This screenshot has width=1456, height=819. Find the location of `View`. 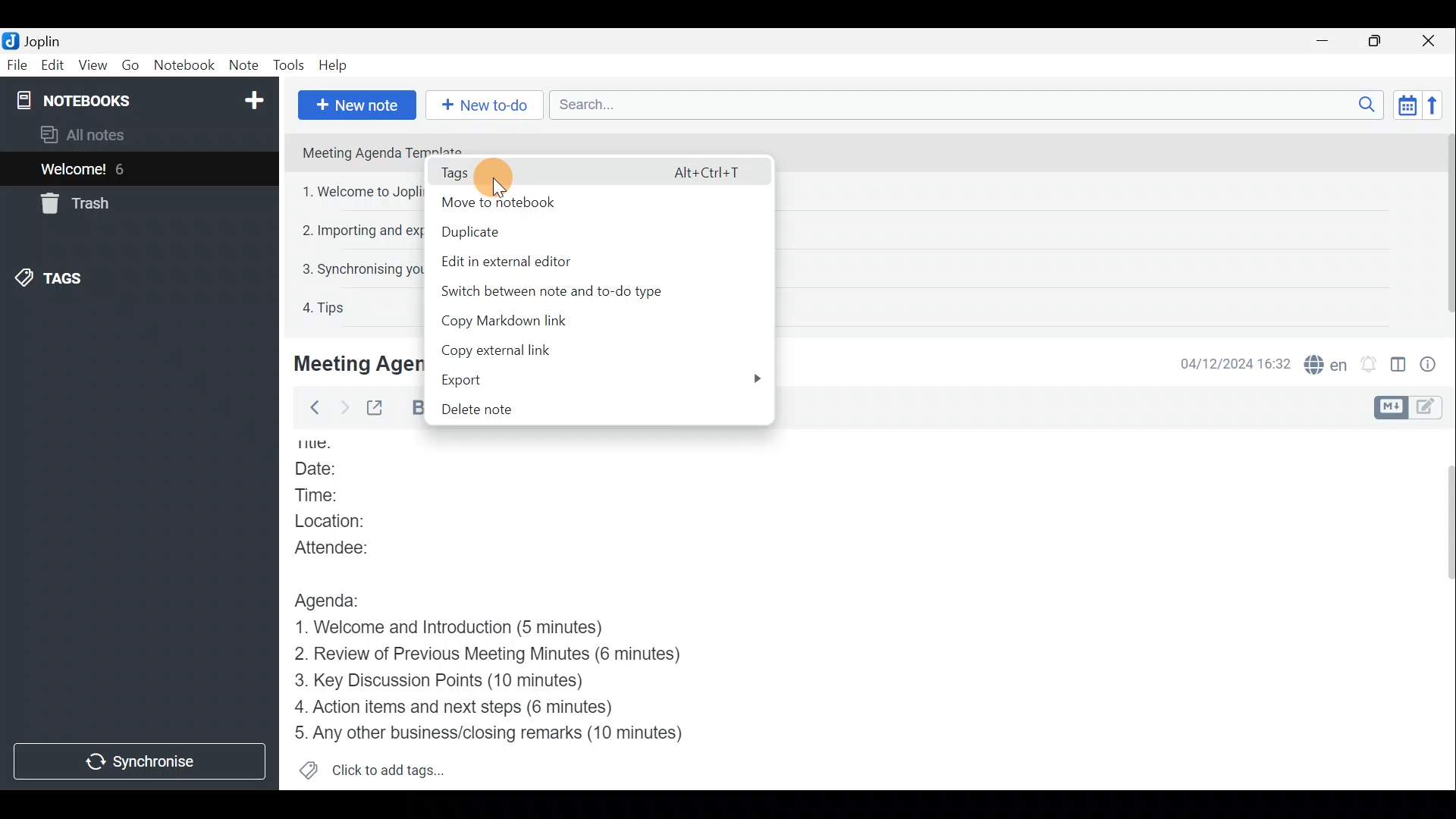

View is located at coordinates (90, 67).